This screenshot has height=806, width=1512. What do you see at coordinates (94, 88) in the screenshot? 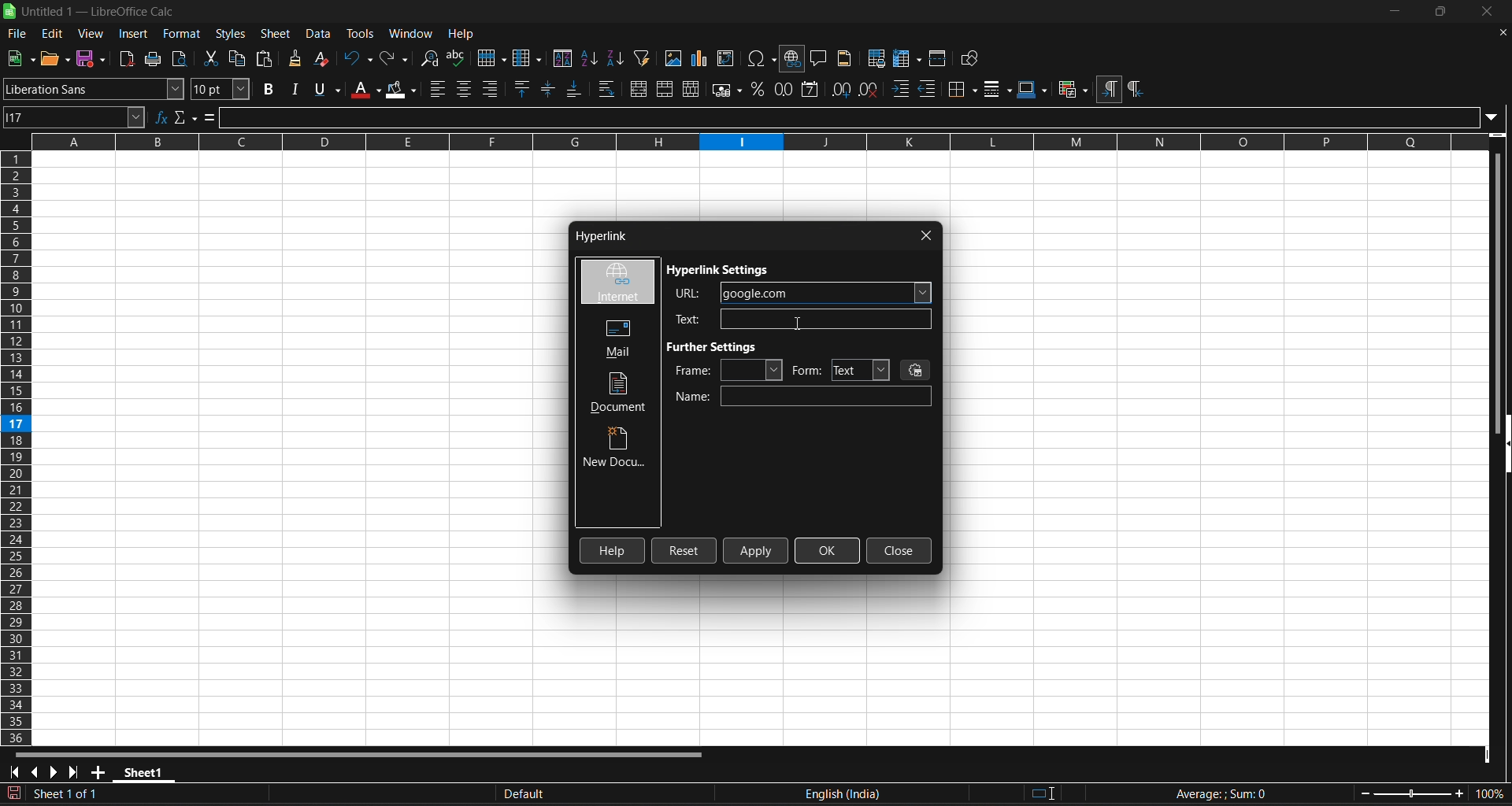
I see `font name` at bounding box center [94, 88].